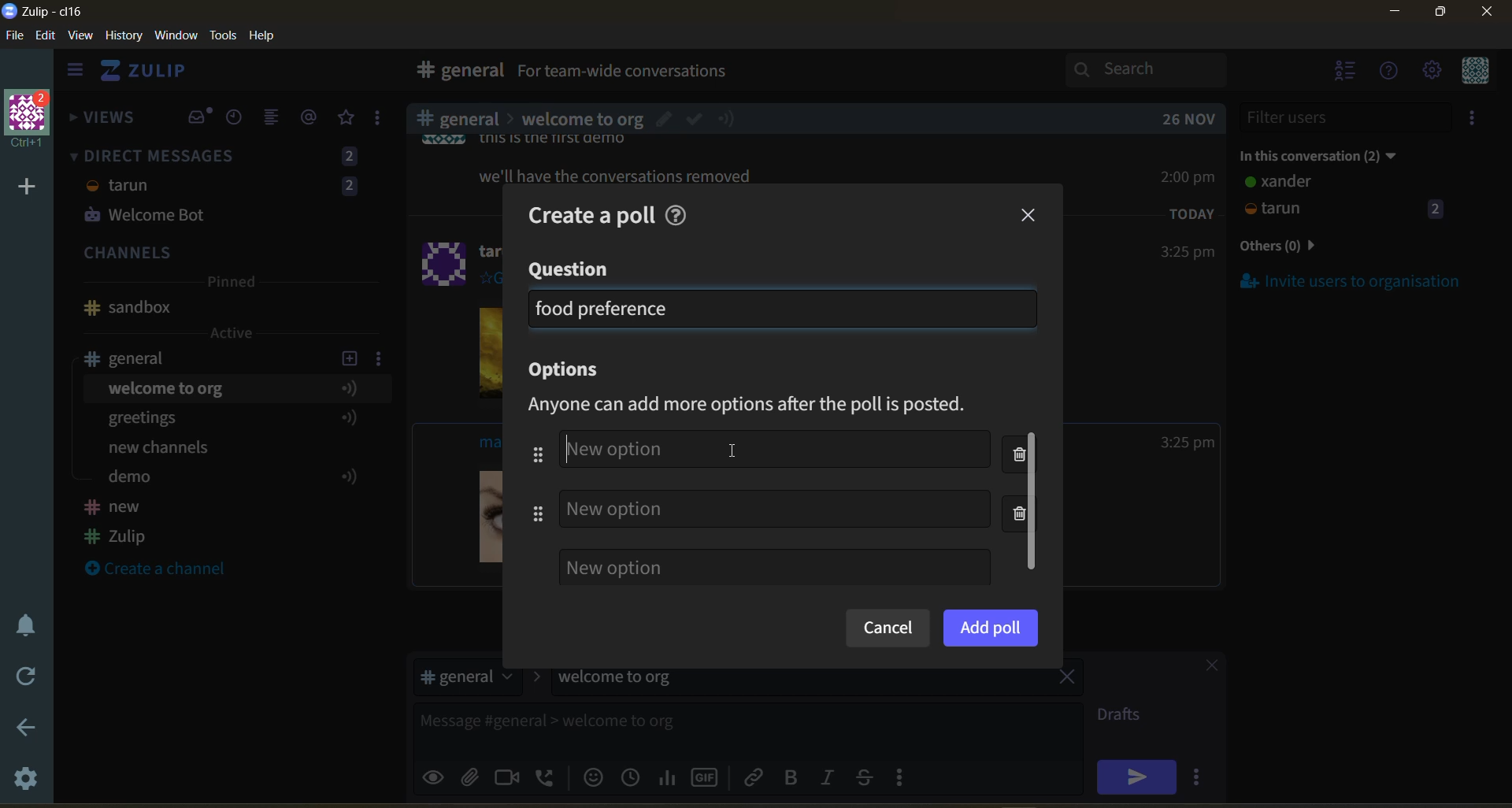 The width and height of the screenshot is (1512, 808). What do you see at coordinates (571, 270) in the screenshot?
I see `question` at bounding box center [571, 270].